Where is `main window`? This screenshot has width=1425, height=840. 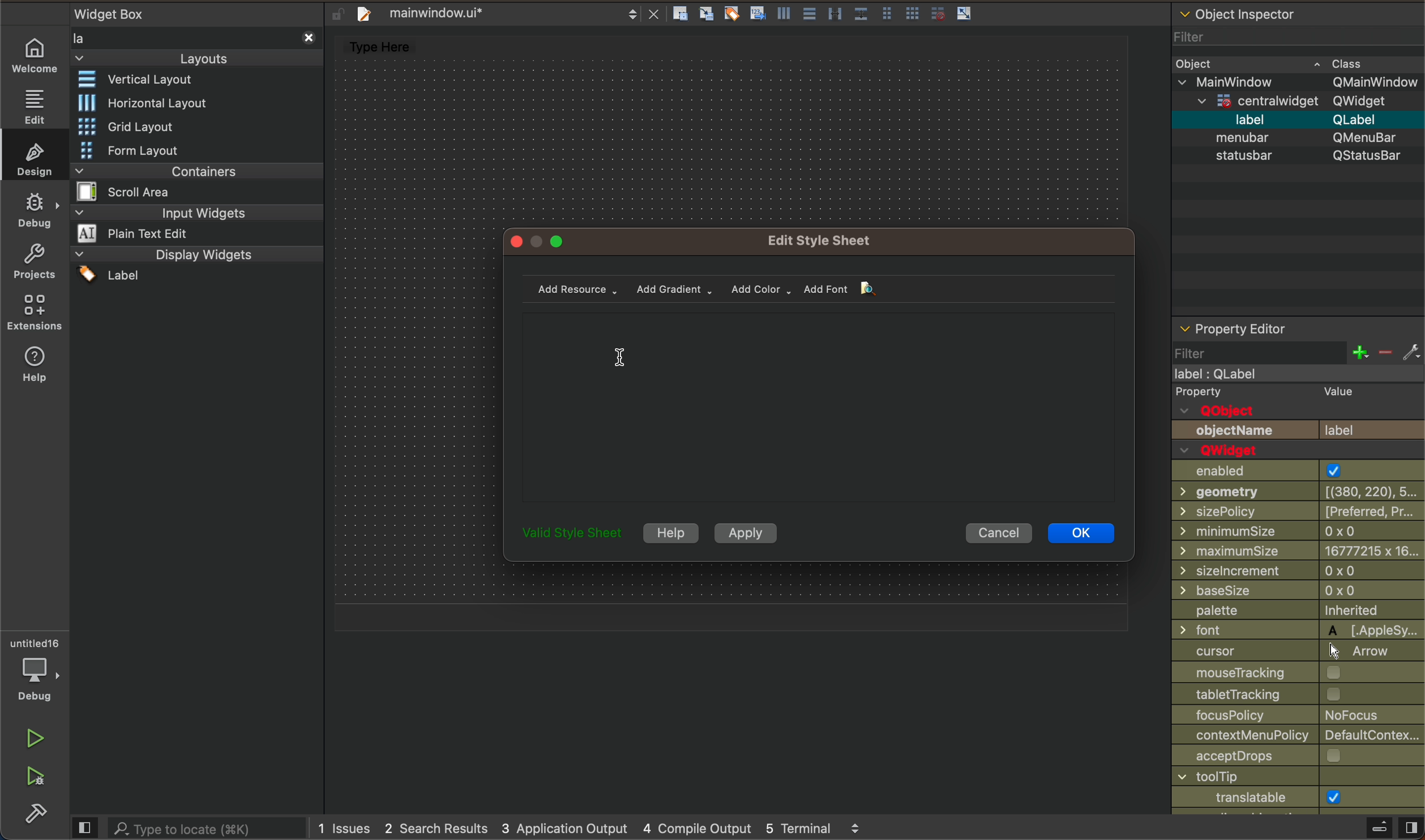
main window is located at coordinates (1293, 374).